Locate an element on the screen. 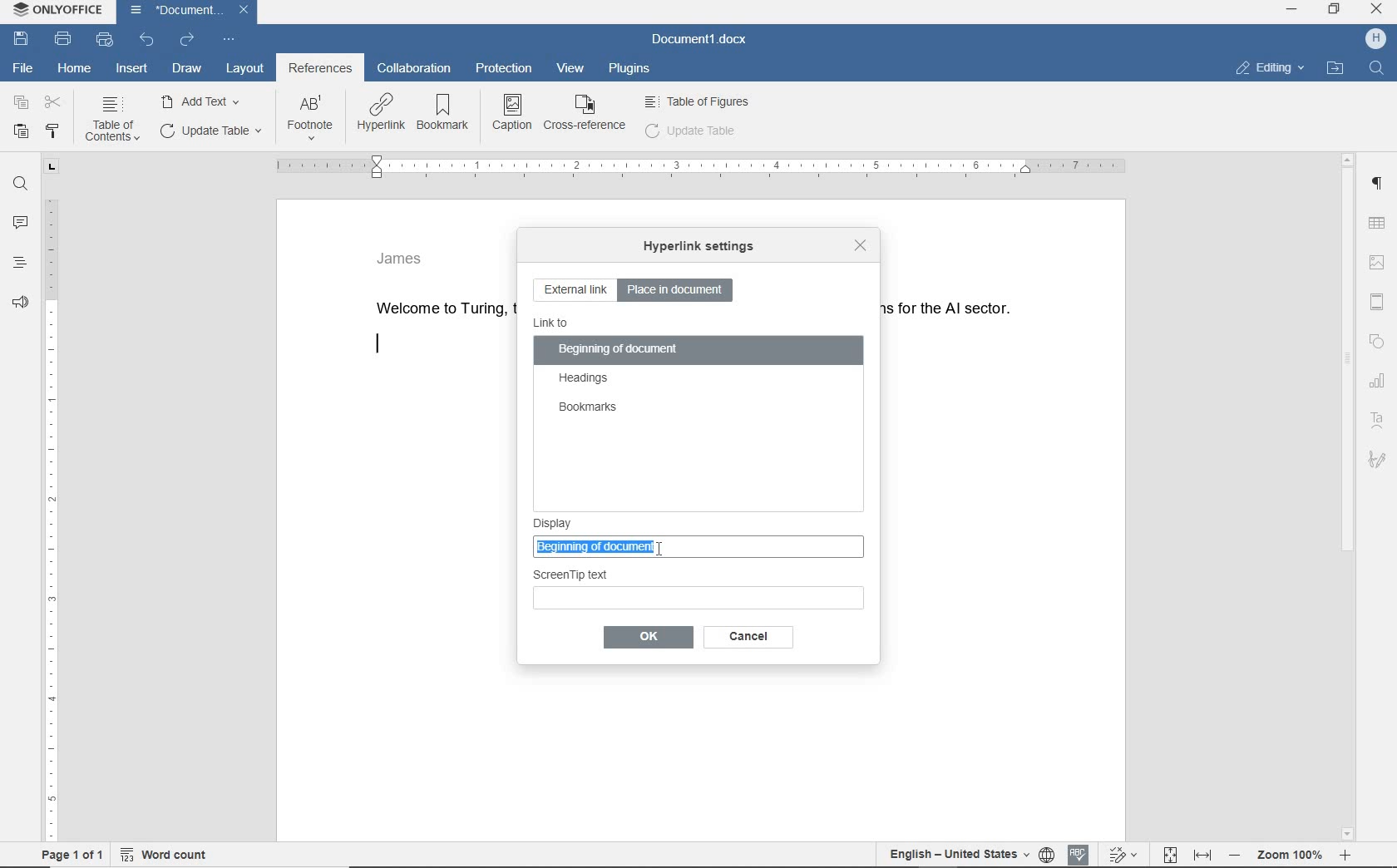  headings is located at coordinates (585, 379).